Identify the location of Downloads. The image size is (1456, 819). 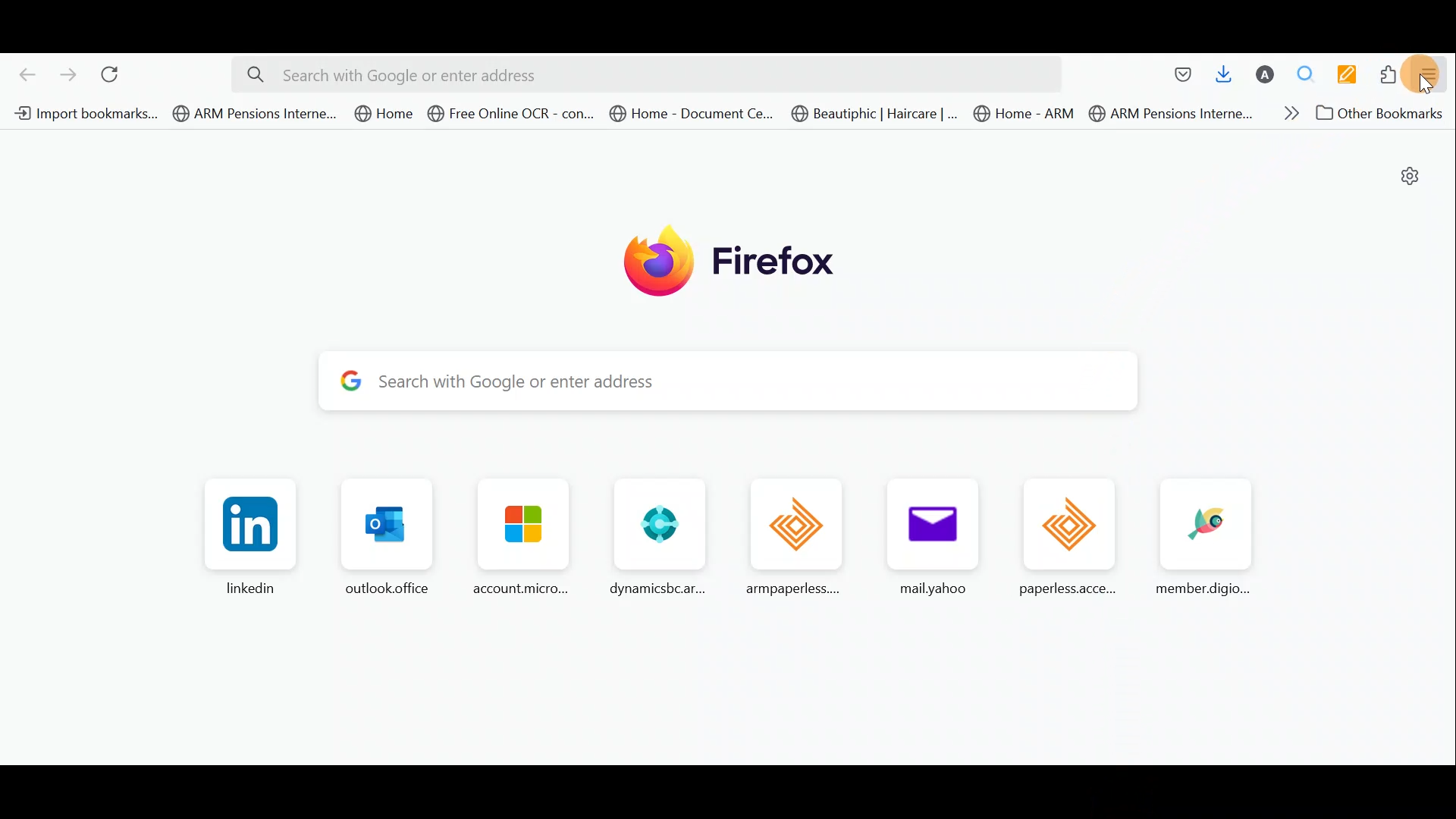
(1225, 77).